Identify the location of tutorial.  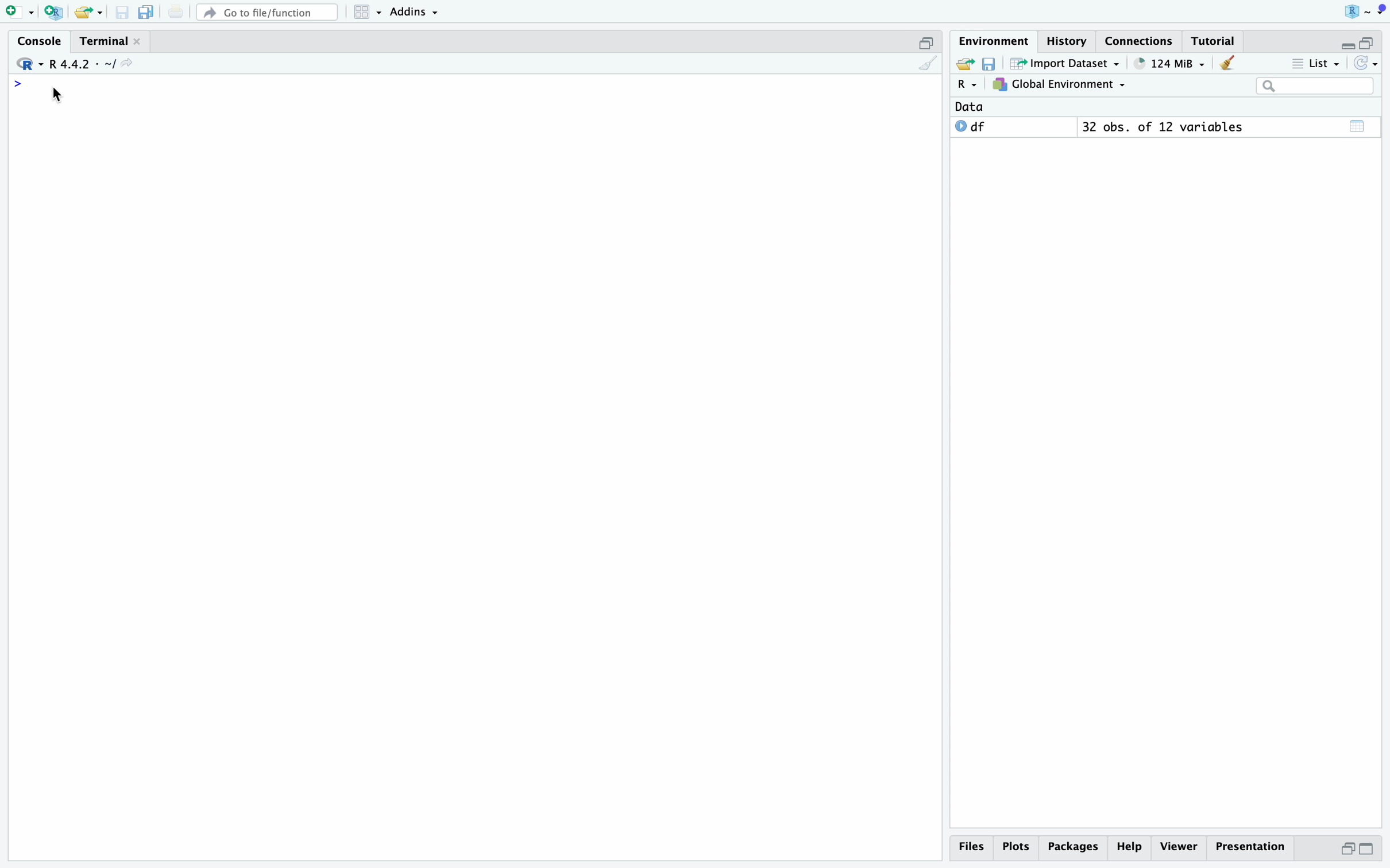
(1213, 41).